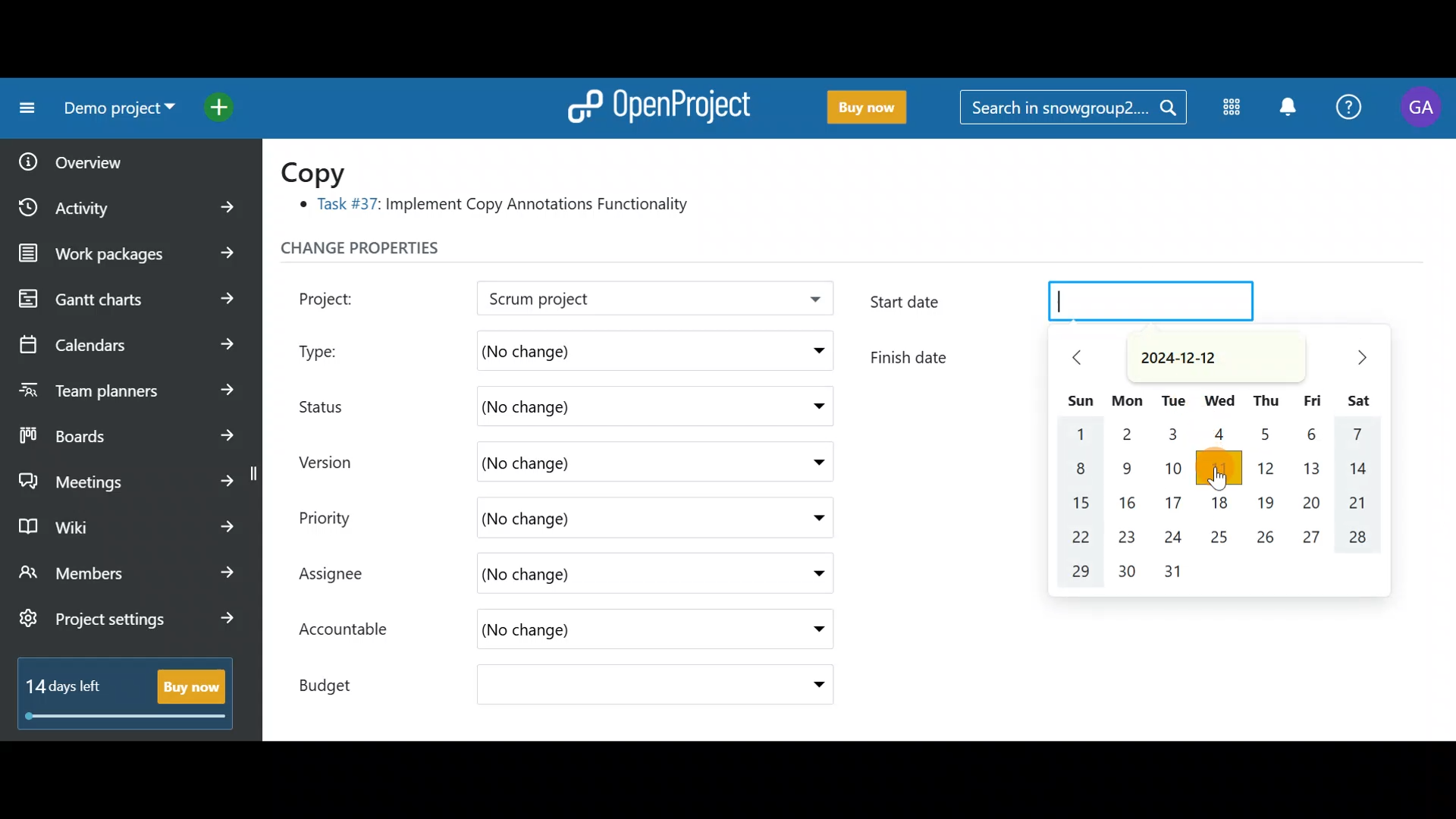 The image size is (1456, 819). Describe the element at coordinates (582, 632) in the screenshot. I see `(No change)` at that location.